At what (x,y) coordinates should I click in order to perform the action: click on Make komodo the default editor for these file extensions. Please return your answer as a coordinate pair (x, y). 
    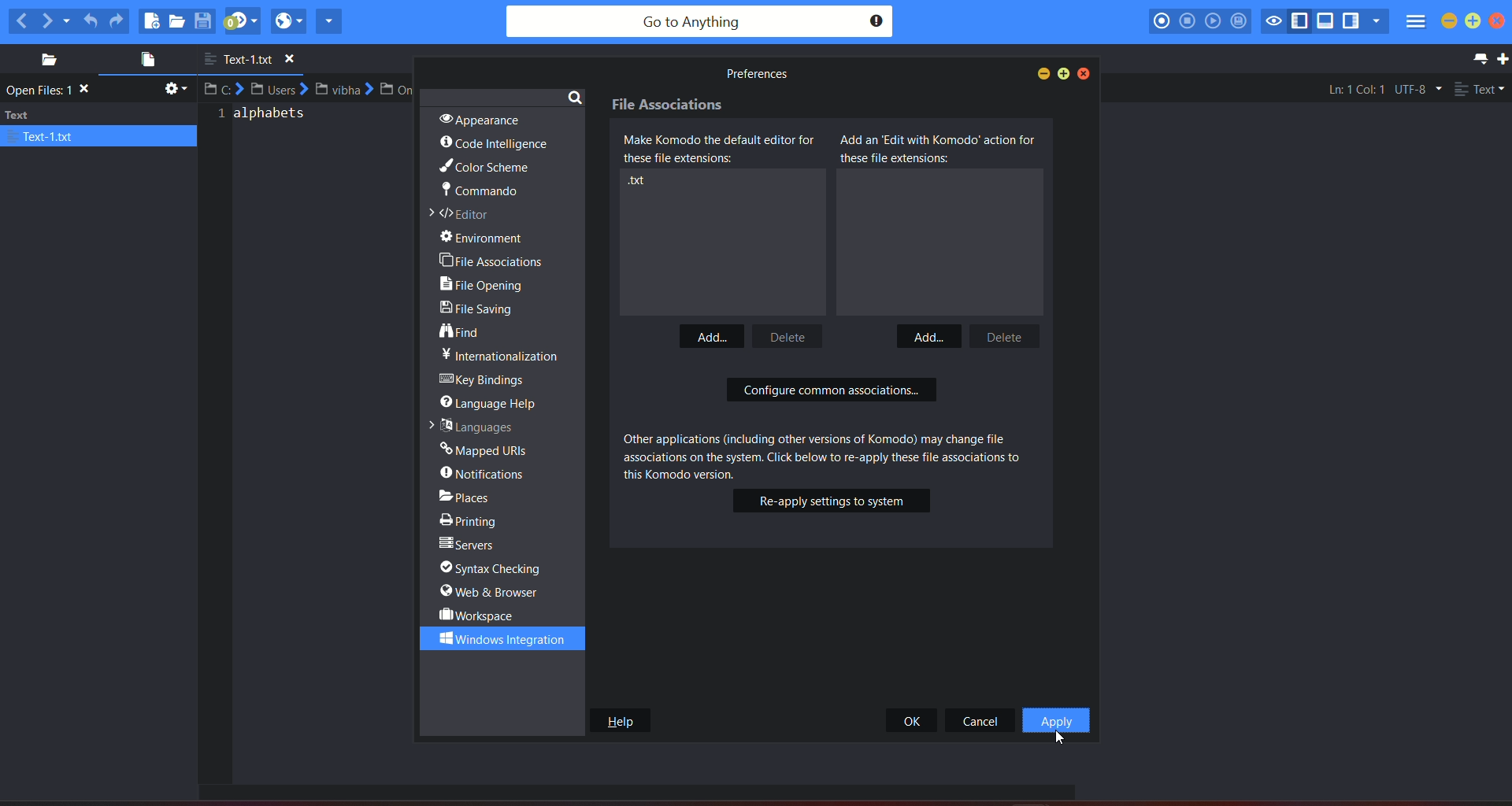
    Looking at the image, I should click on (724, 150).